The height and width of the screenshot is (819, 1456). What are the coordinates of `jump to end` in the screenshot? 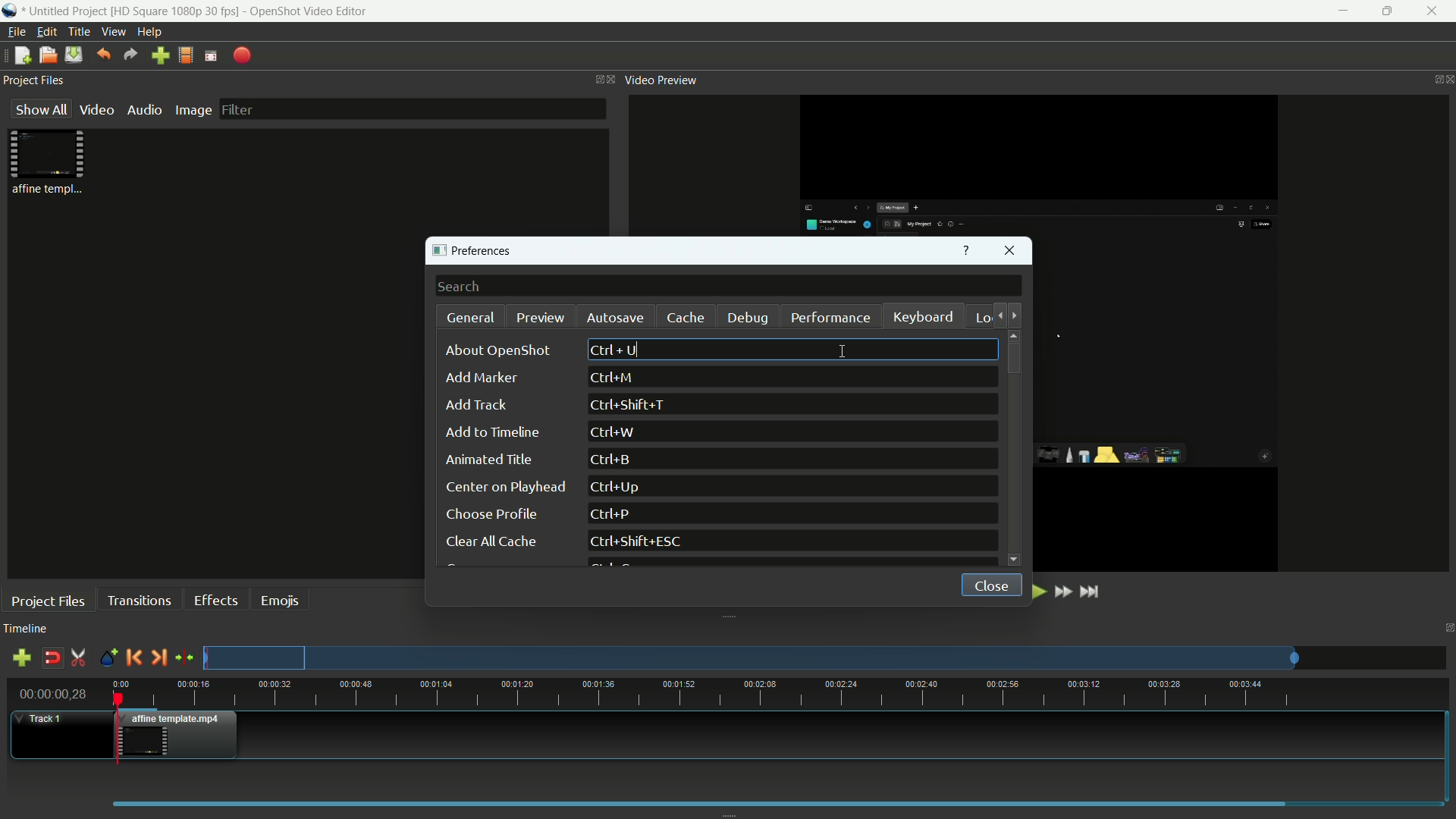 It's located at (1093, 591).